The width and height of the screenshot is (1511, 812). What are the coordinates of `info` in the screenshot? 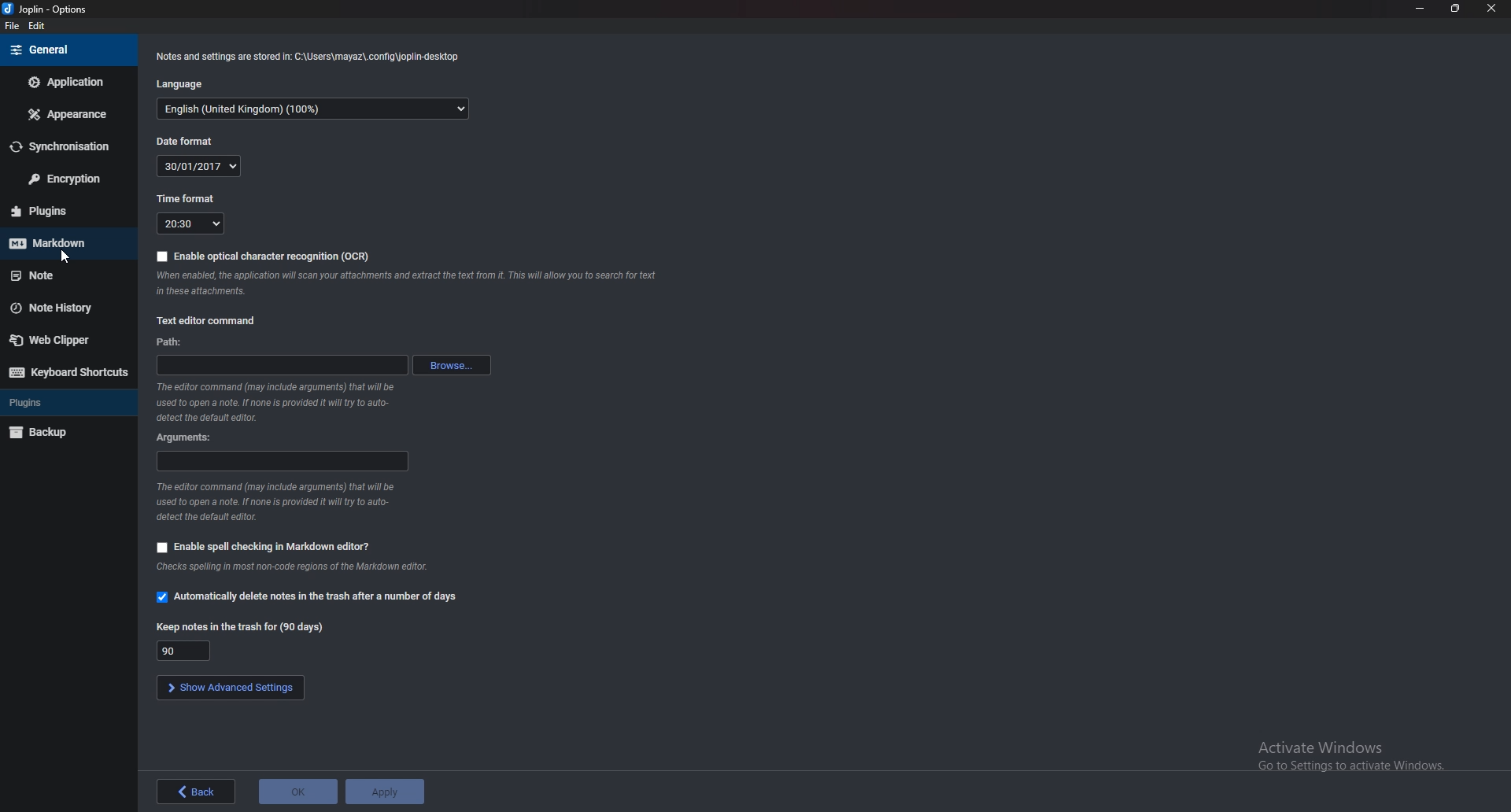 It's located at (294, 567).